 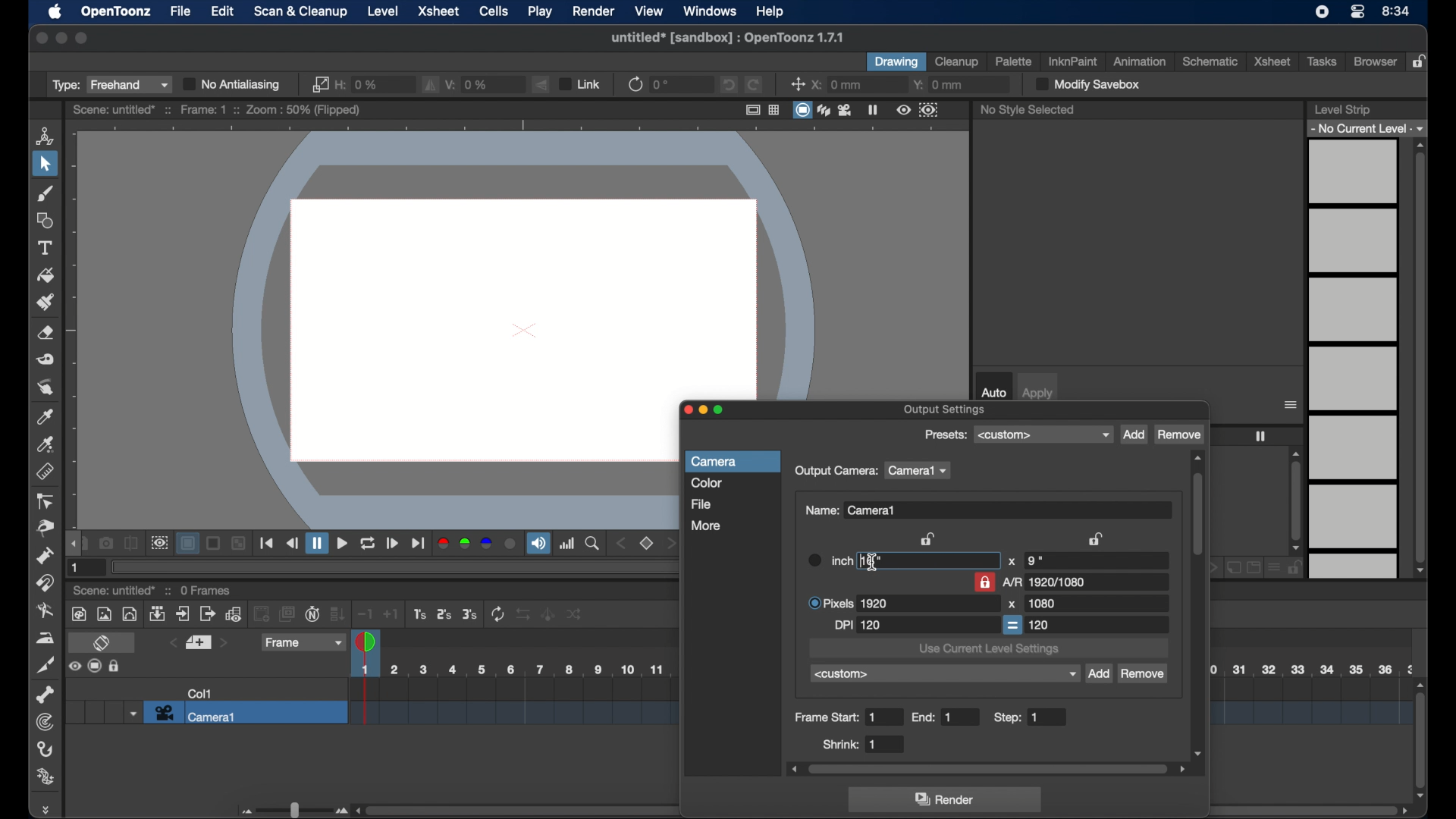 I want to click on col1, so click(x=200, y=693).